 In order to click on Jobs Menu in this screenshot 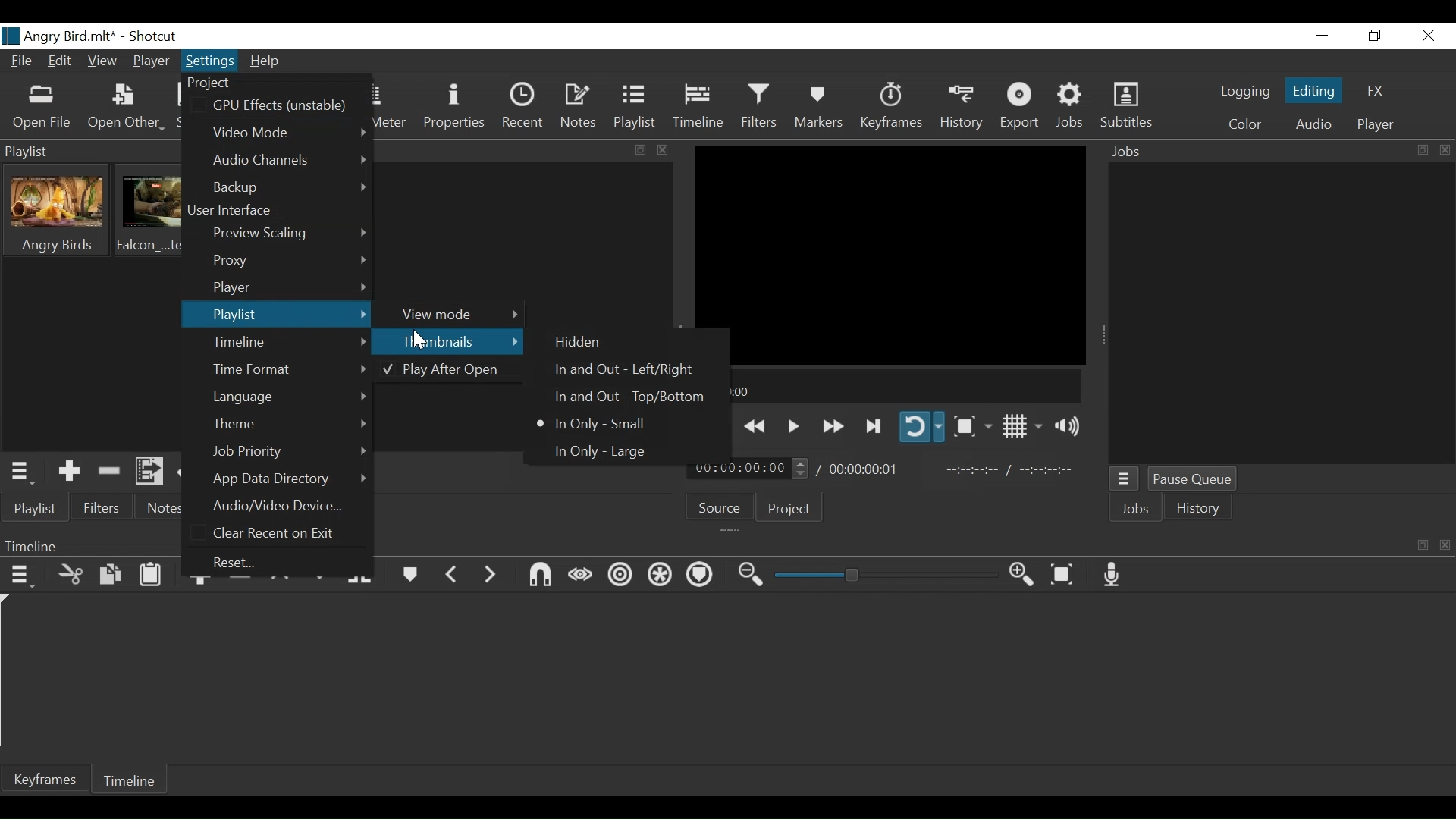, I will do `click(1125, 480)`.